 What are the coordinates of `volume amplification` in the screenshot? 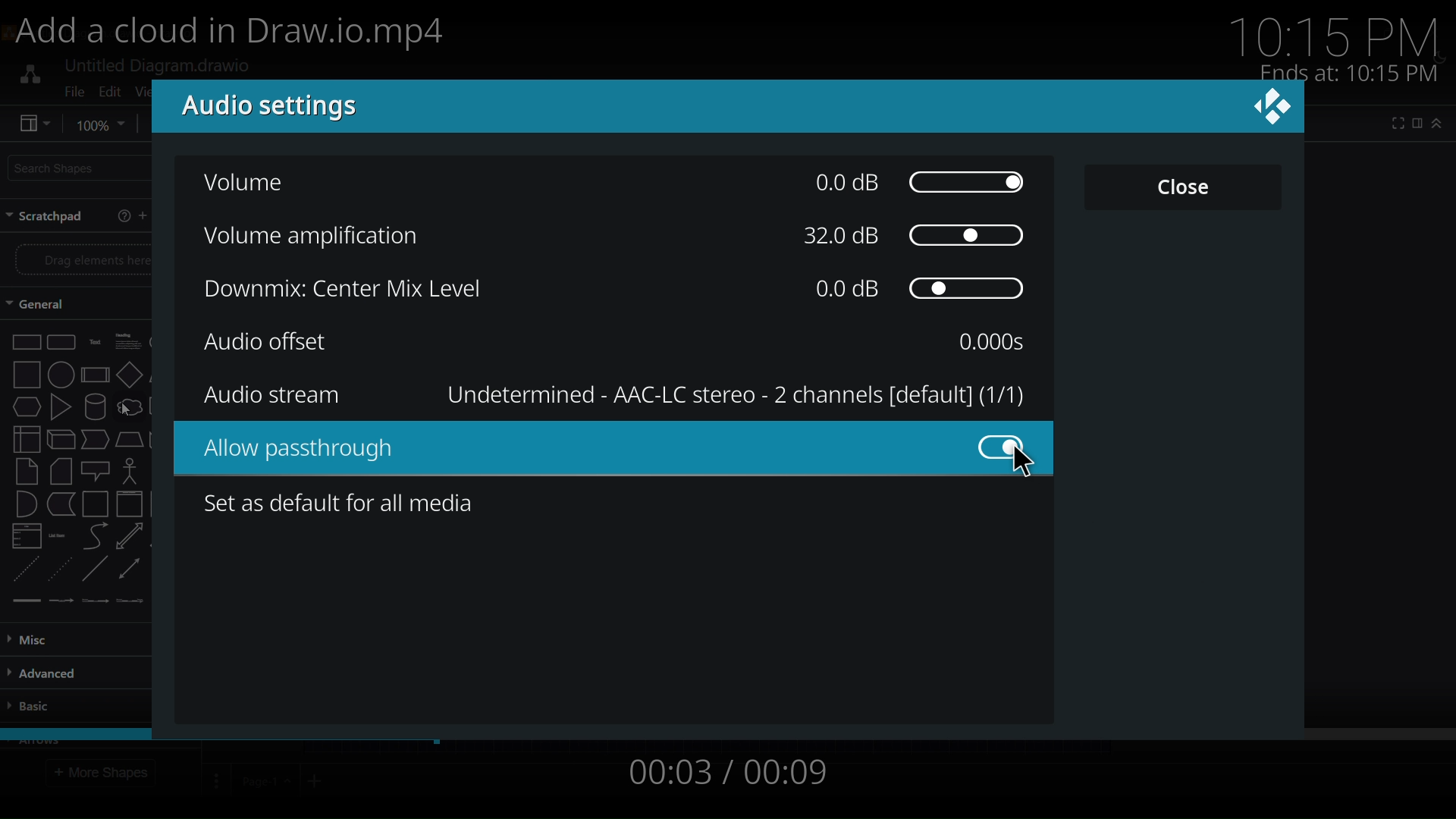 It's located at (318, 240).